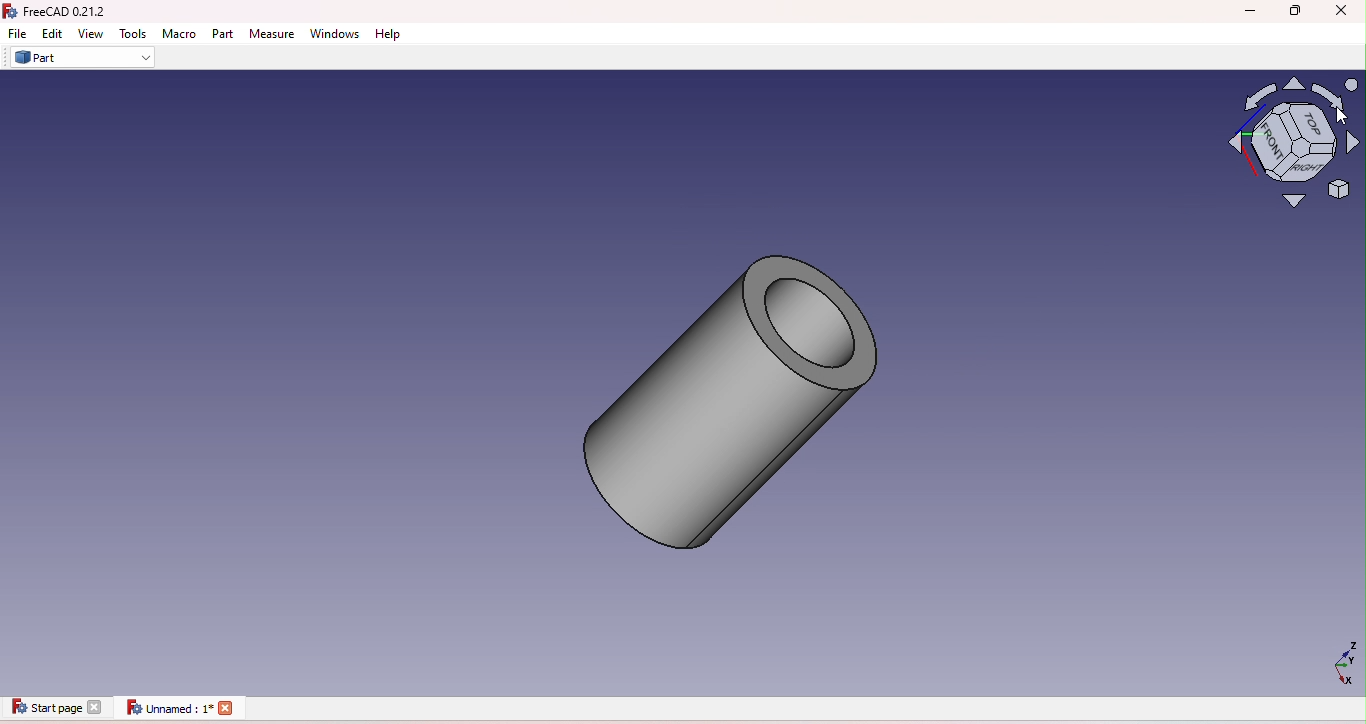 The height and width of the screenshot is (724, 1366). Describe the element at coordinates (182, 34) in the screenshot. I see `Macro` at that location.